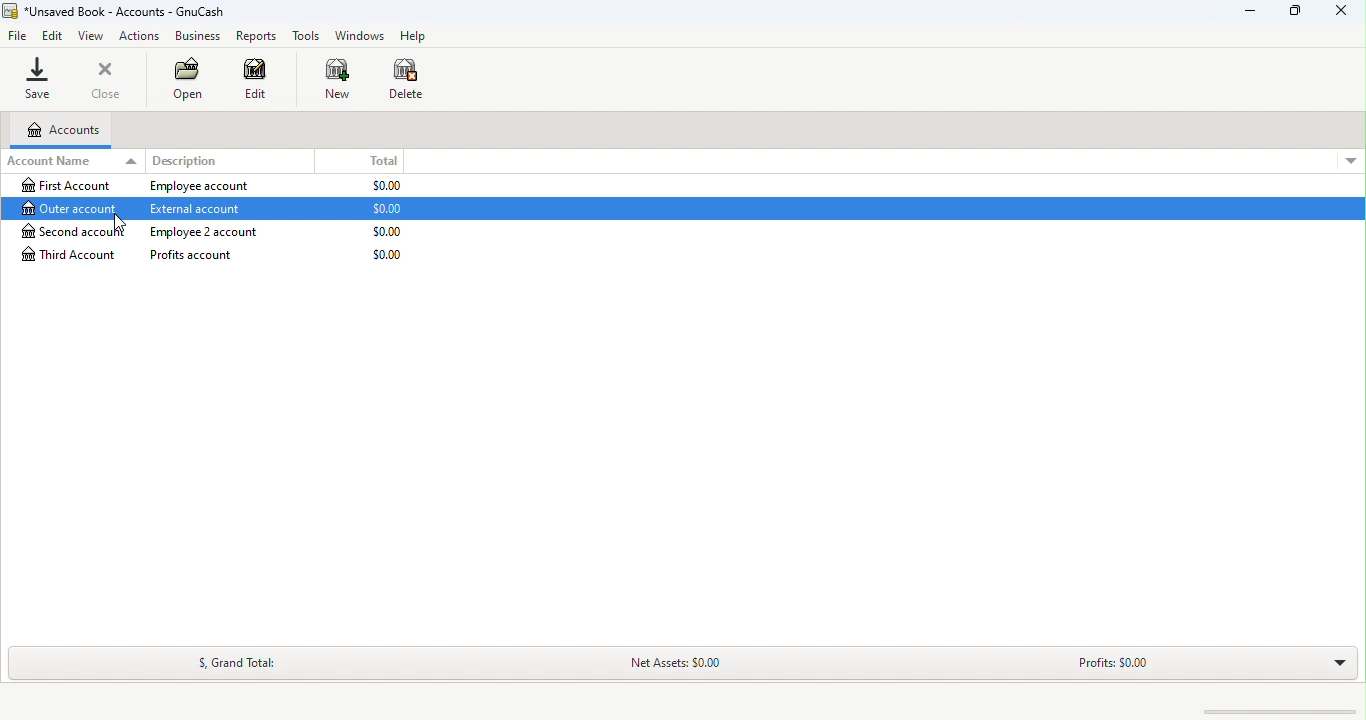 The image size is (1366, 720). I want to click on Grand total, so click(232, 661).